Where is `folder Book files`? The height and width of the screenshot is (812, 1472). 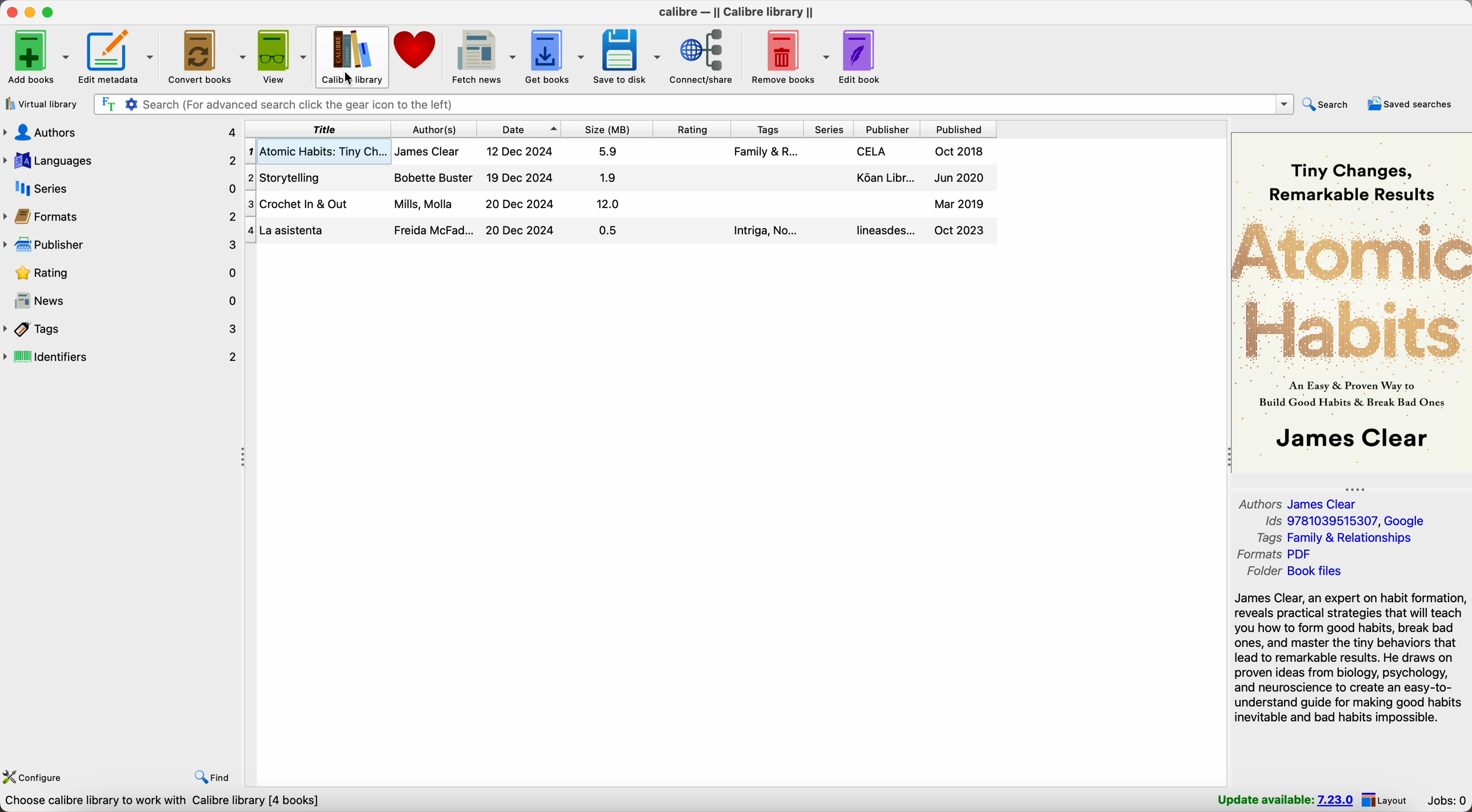
folder Book files is located at coordinates (1306, 571).